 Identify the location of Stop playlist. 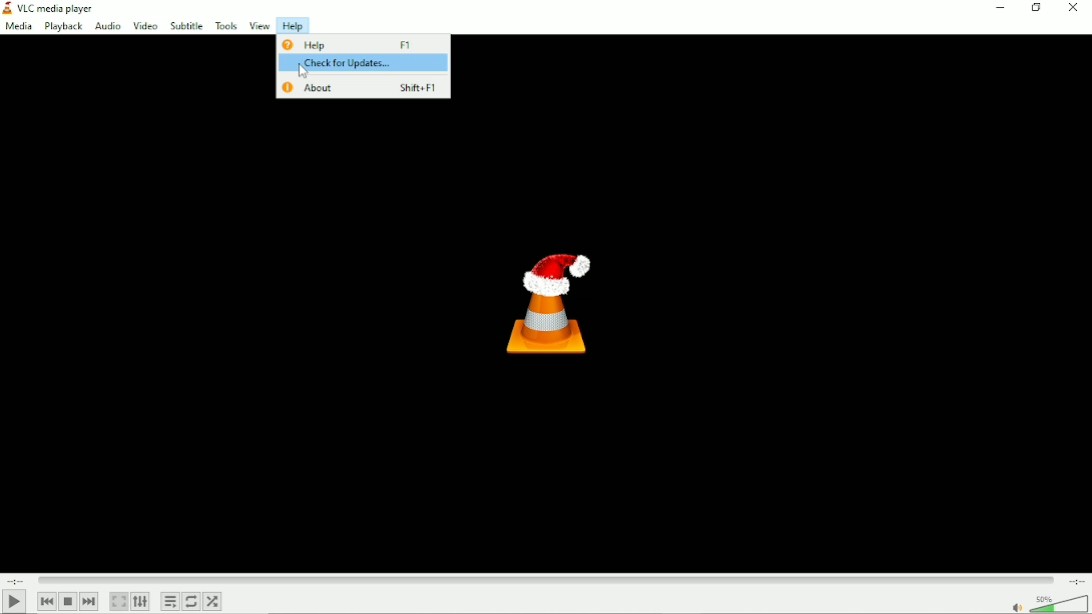
(68, 602).